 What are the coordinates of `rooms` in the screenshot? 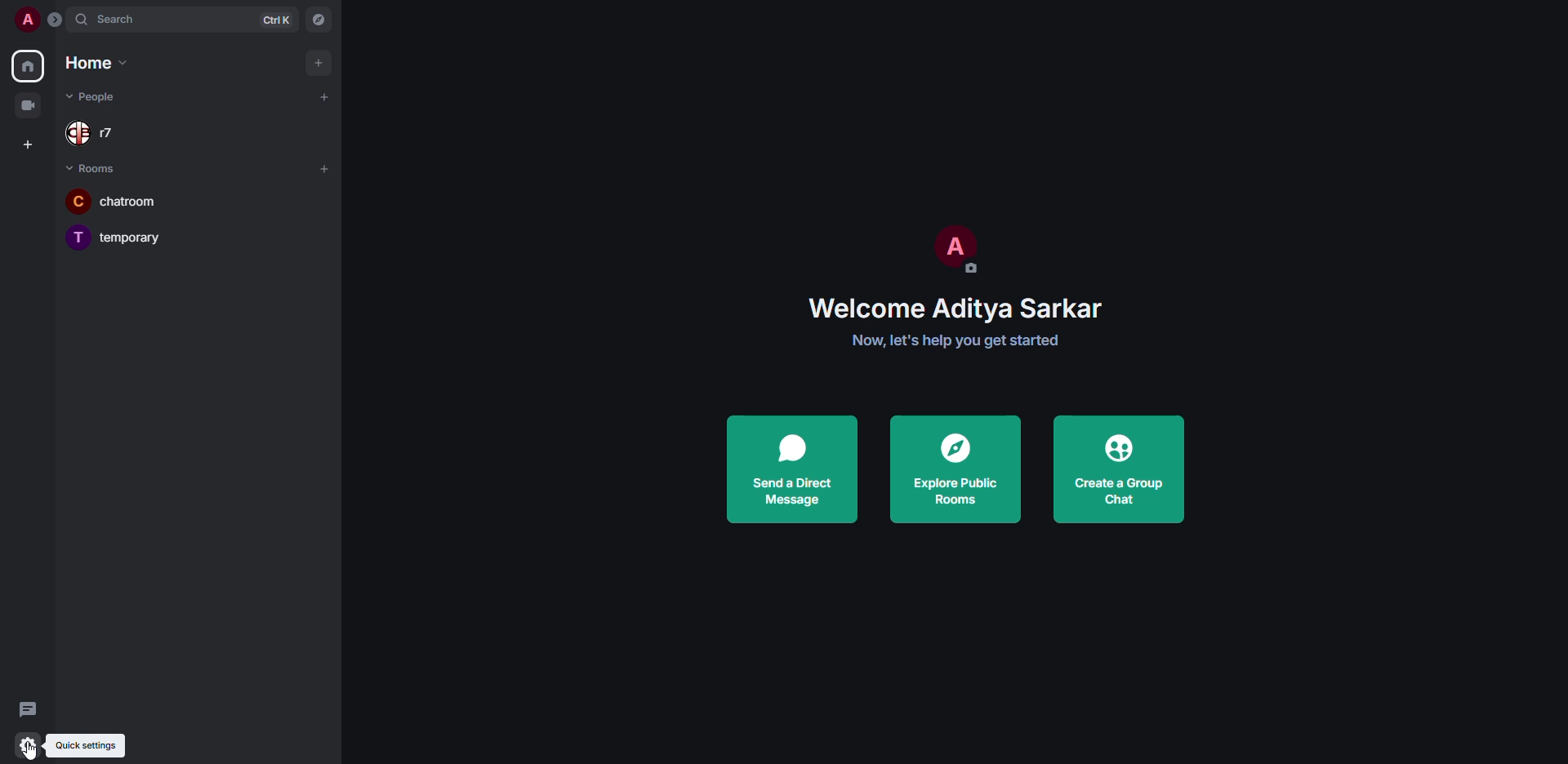 It's located at (96, 169).